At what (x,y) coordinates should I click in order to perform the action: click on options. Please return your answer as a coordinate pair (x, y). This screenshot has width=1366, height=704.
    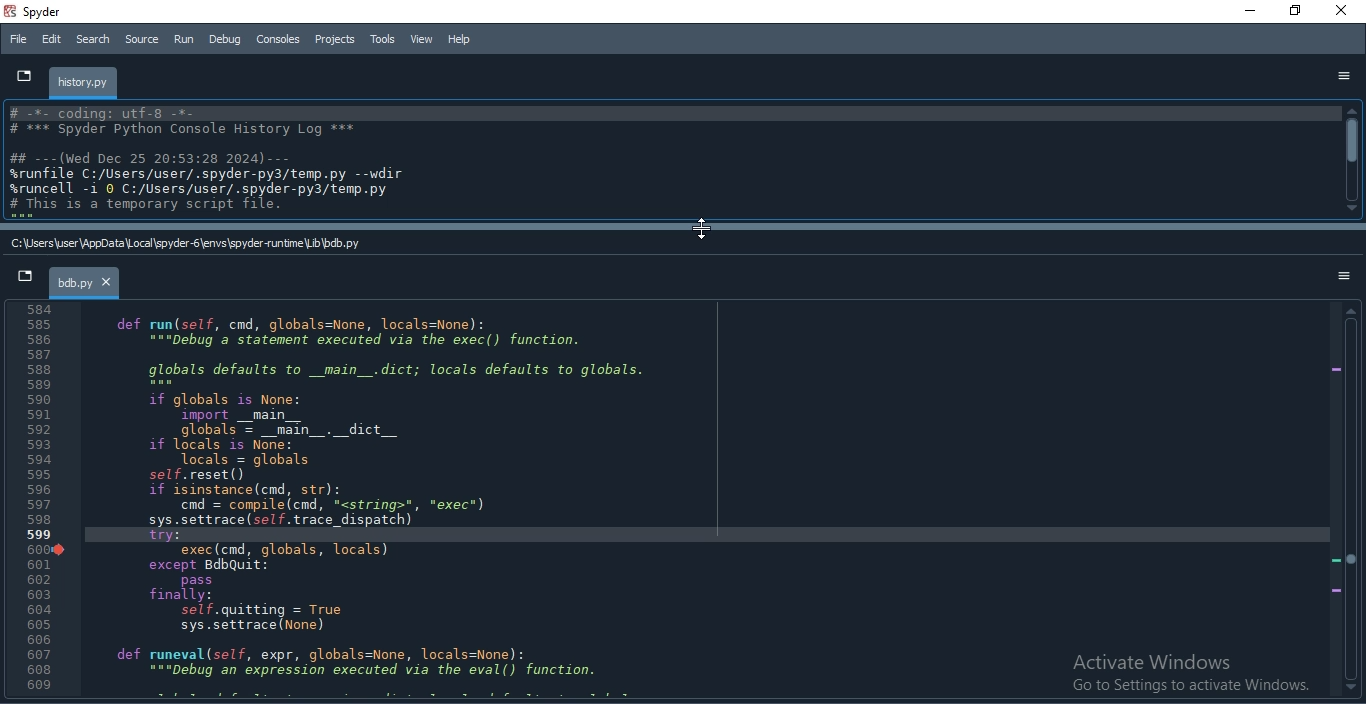
    Looking at the image, I should click on (1343, 76).